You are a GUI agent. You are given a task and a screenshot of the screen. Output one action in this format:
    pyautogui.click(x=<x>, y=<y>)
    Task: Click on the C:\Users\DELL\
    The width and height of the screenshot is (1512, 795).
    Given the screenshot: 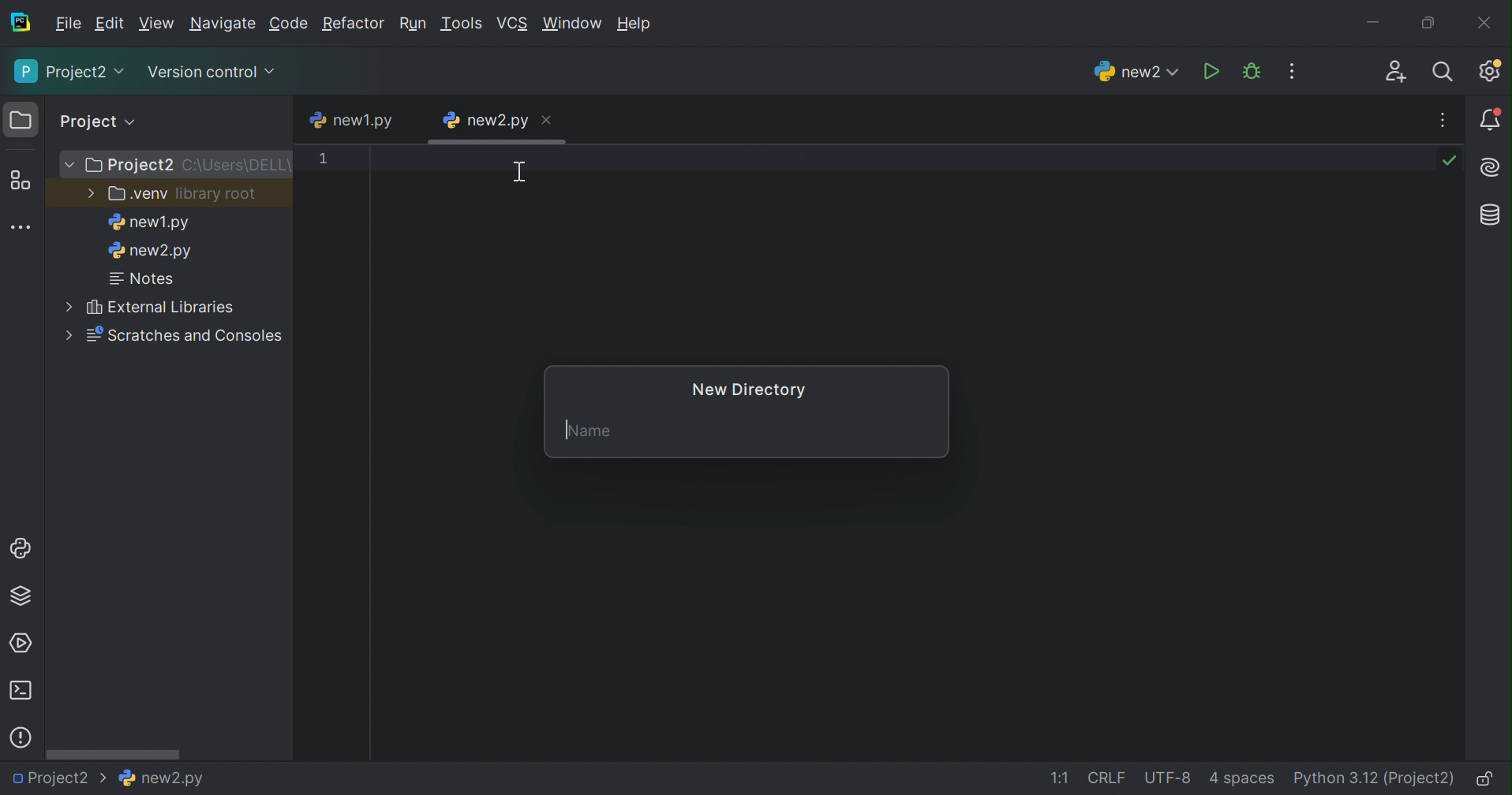 What is the action you would take?
    pyautogui.click(x=238, y=166)
    